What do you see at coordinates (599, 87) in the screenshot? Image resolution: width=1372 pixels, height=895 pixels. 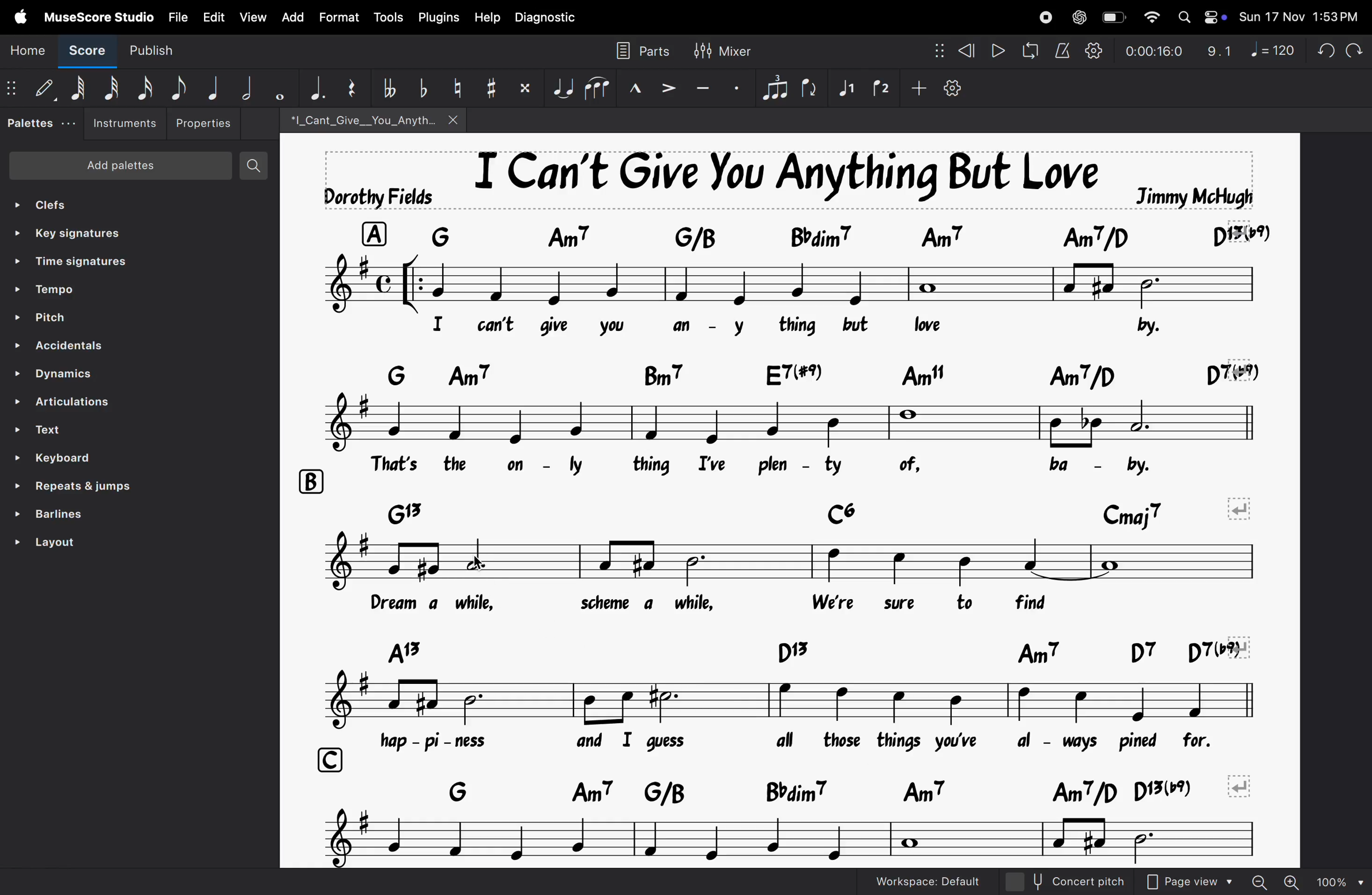 I see `slur` at bounding box center [599, 87].